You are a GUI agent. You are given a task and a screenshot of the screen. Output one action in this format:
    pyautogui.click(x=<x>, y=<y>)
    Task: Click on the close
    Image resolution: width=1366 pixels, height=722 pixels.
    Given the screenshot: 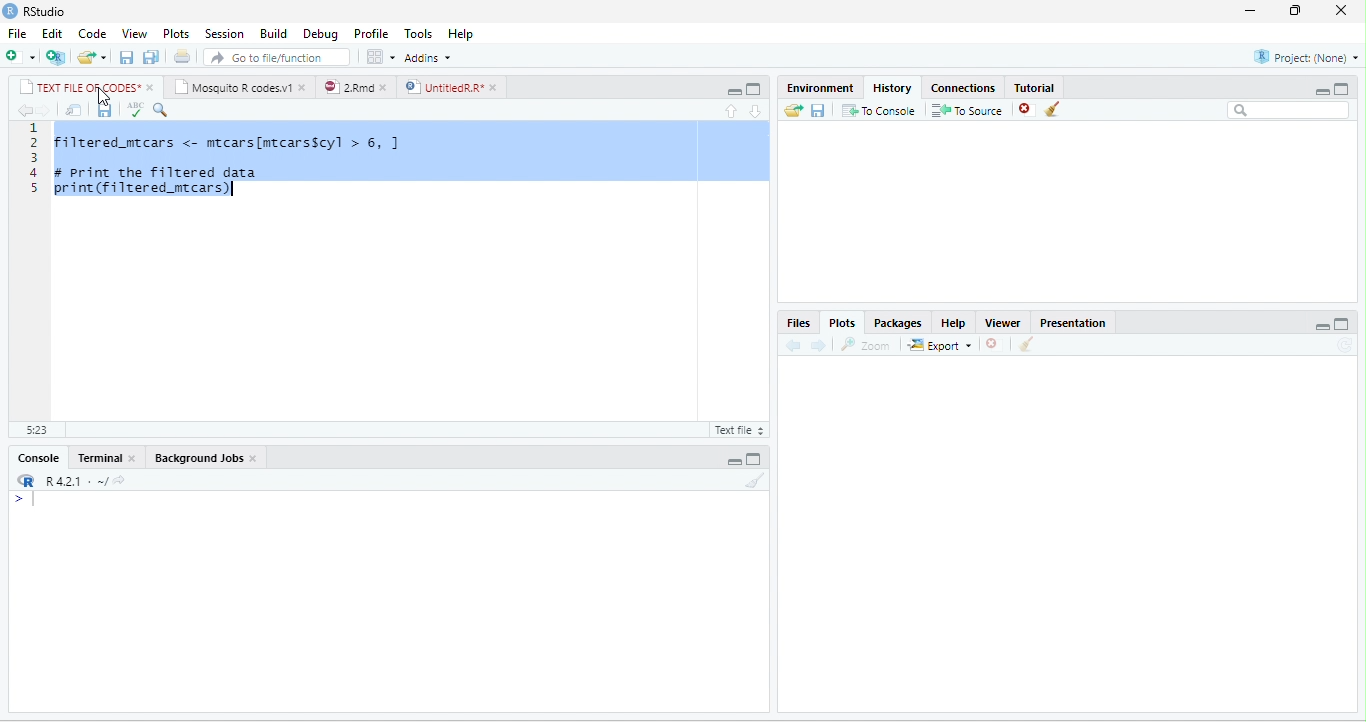 What is the action you would take?
    pyautogui.click(x=254, y=459)
    